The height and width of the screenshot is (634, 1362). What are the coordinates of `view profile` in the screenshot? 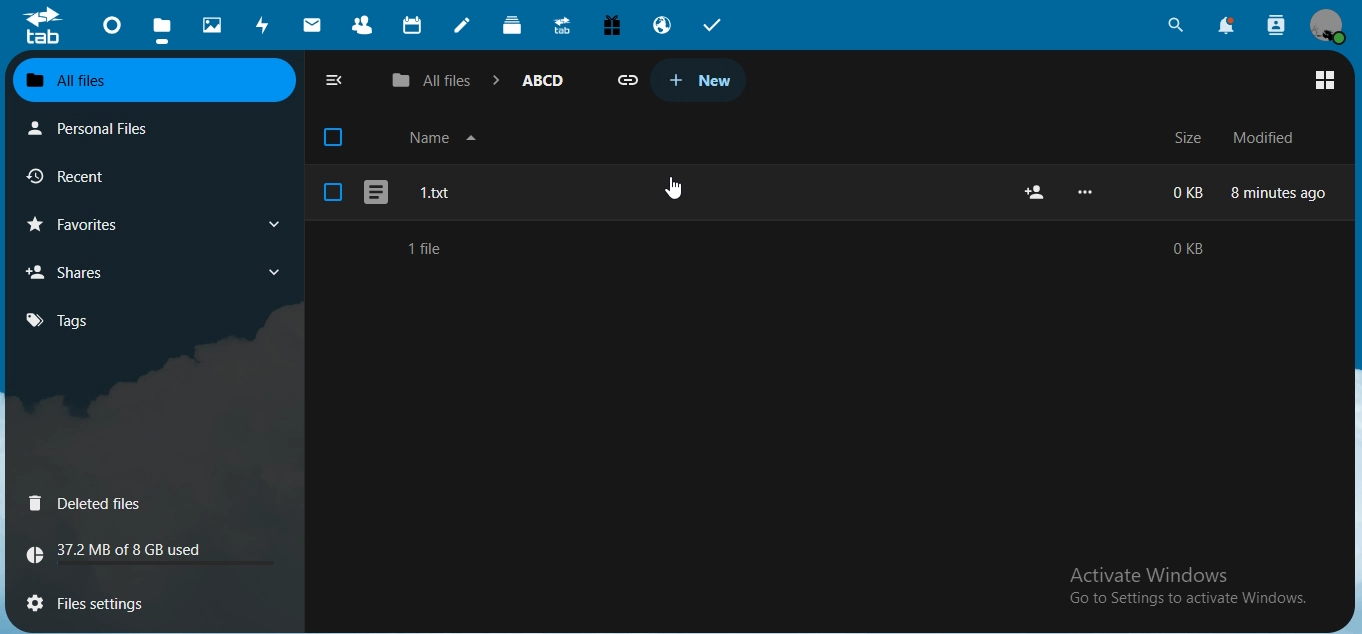 It's located at (1327, 26).